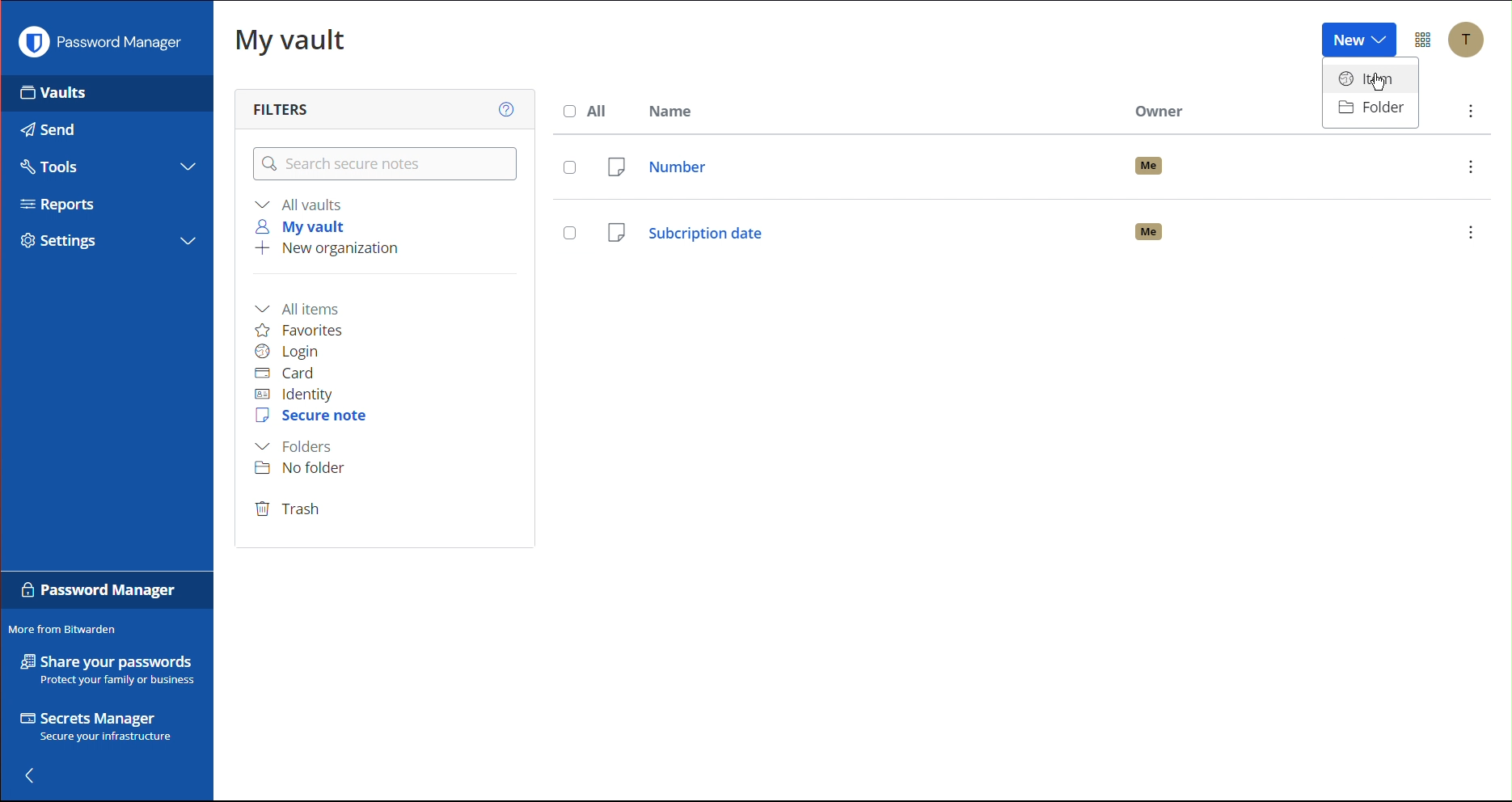  What do you see at coordinates (290, 510) in the screenshot?
I see `Trash` at bounding box center [290, 510].